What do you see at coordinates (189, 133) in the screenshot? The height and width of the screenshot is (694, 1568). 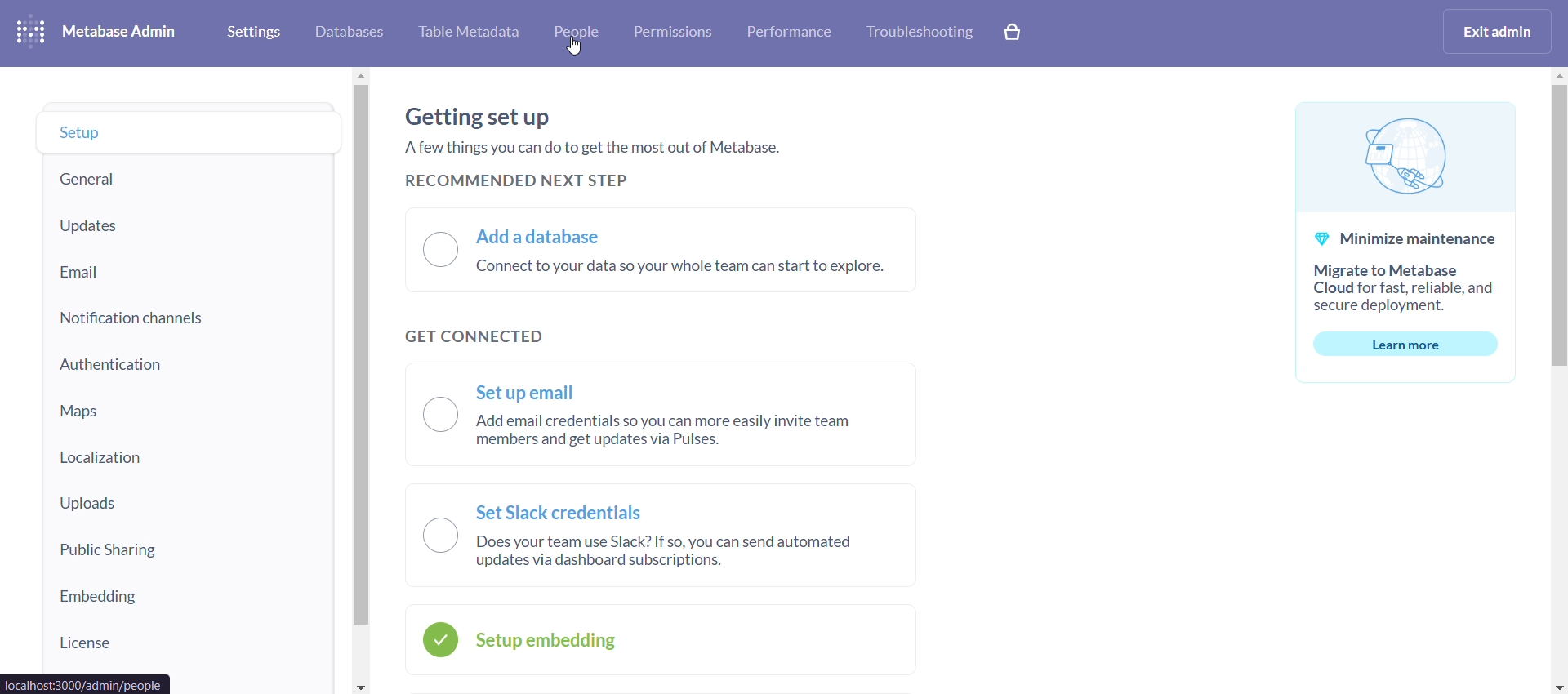 I see `setup` at bounding box center [189, 133].